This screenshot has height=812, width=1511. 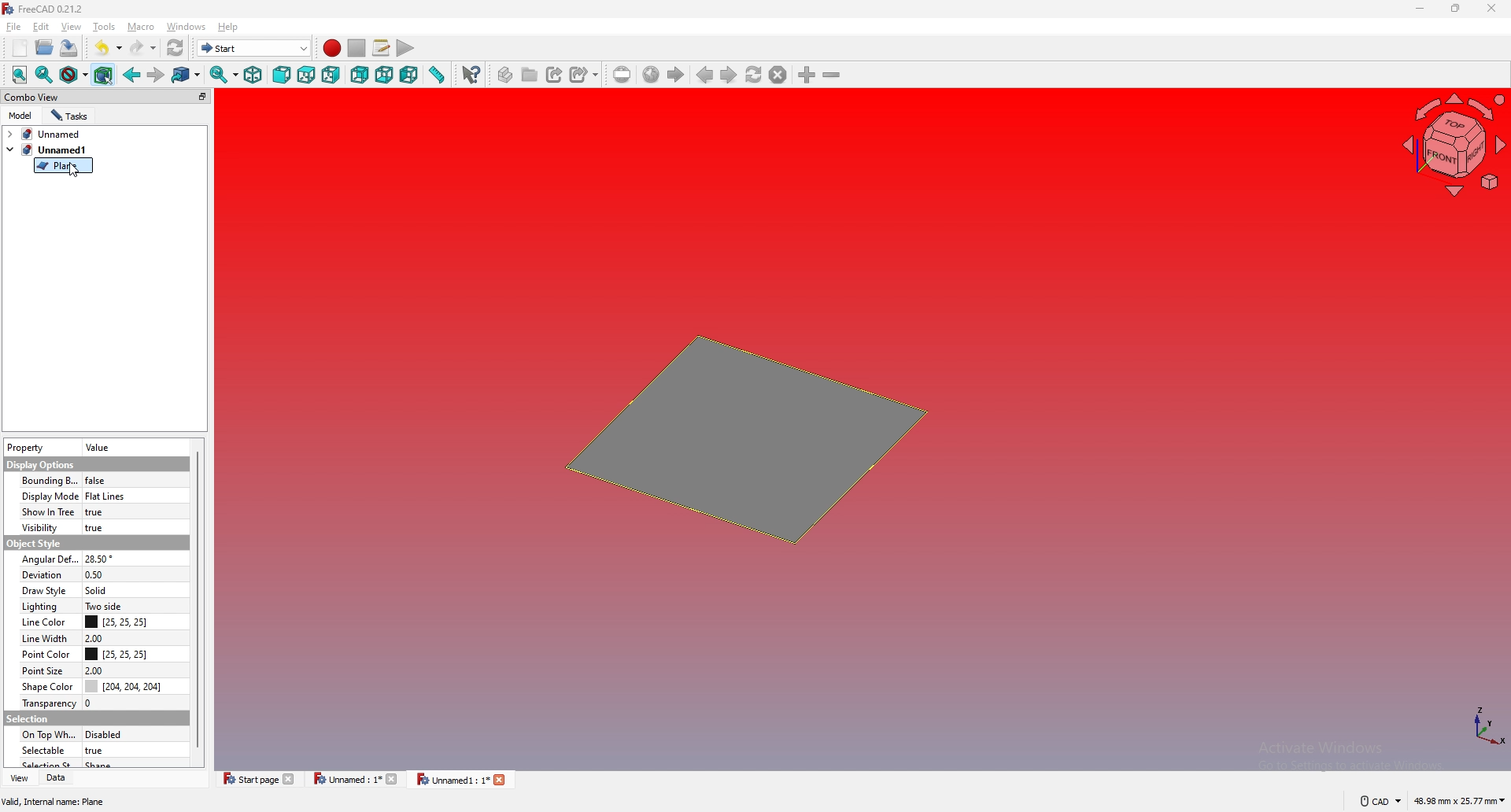 What do you see at coordinates (409, 76) in the screenshot?
I see `left` at bounding box center [409, 76].